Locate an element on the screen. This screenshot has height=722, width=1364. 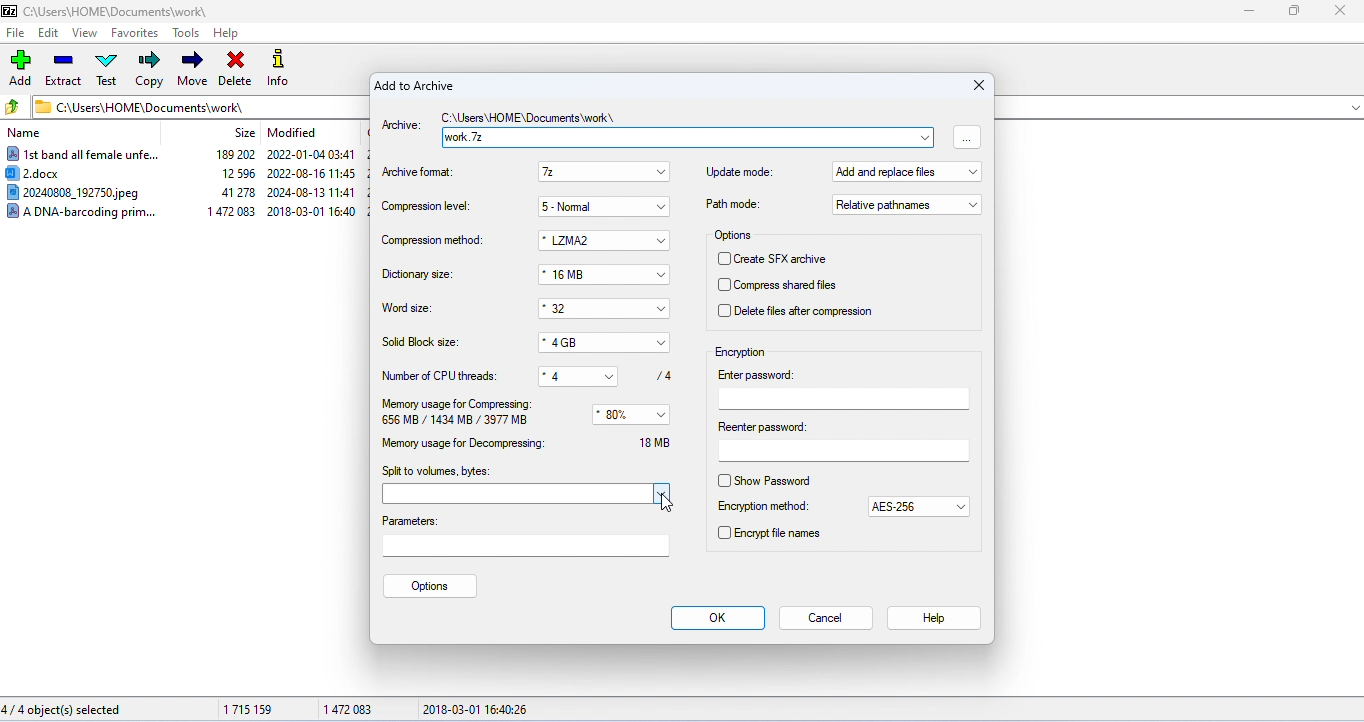
compression level is located at coordinates (427, 207).